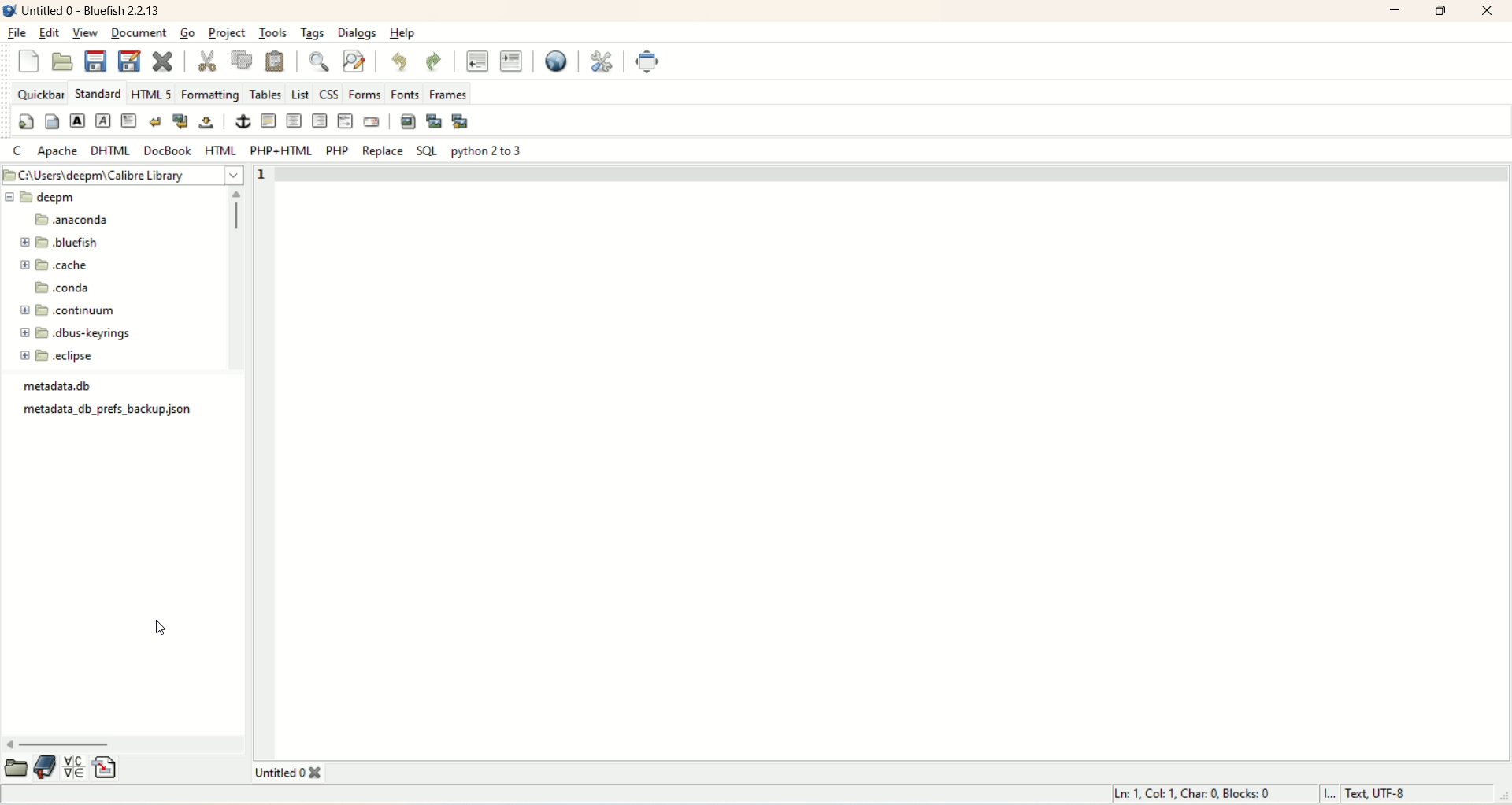  What do you see at coordinates (17, 151) in the screenshot?
I see `C` at bounding box center [17, 151].